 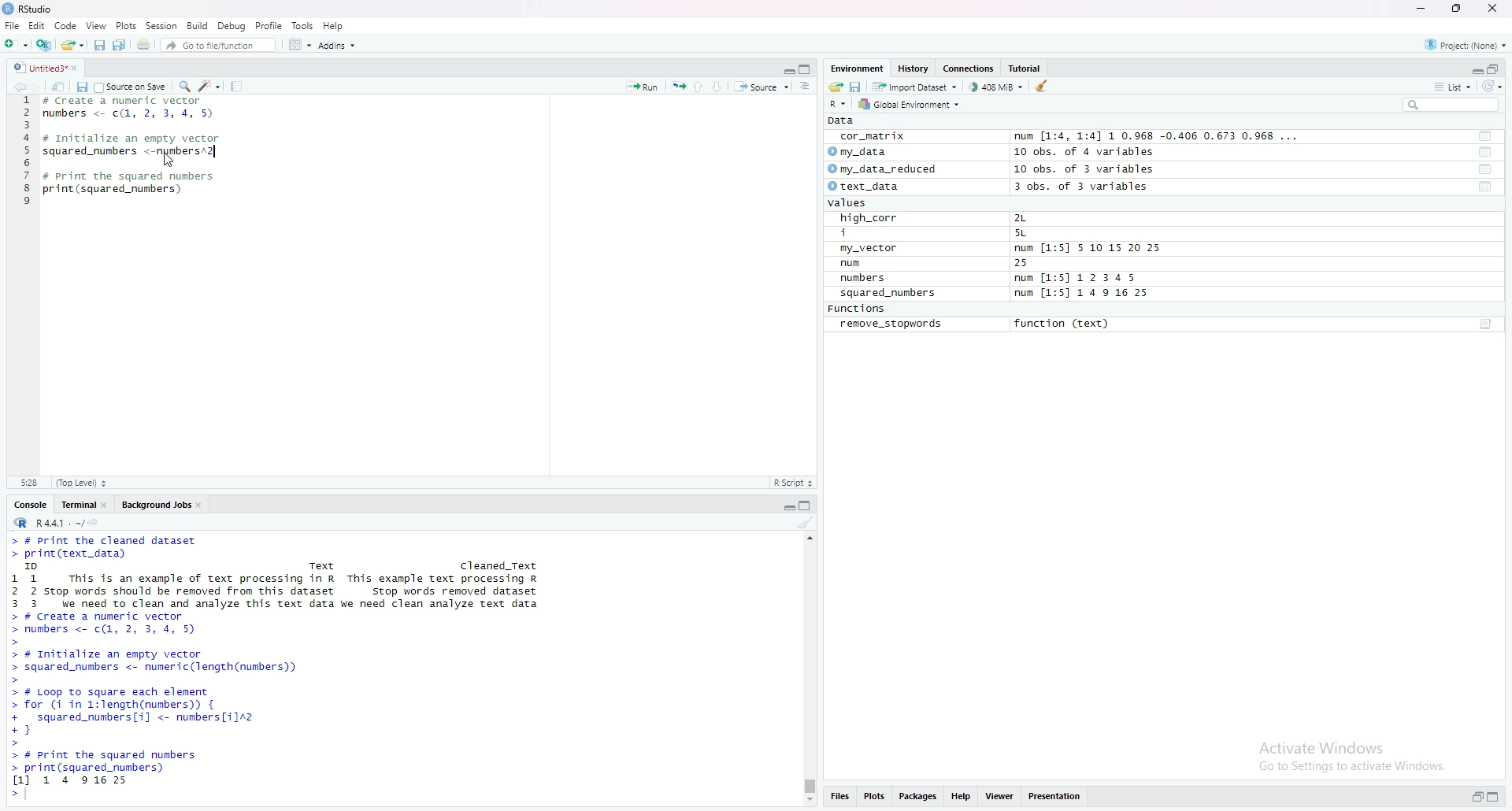 I want to click on Console, so click(x=31, y=503).